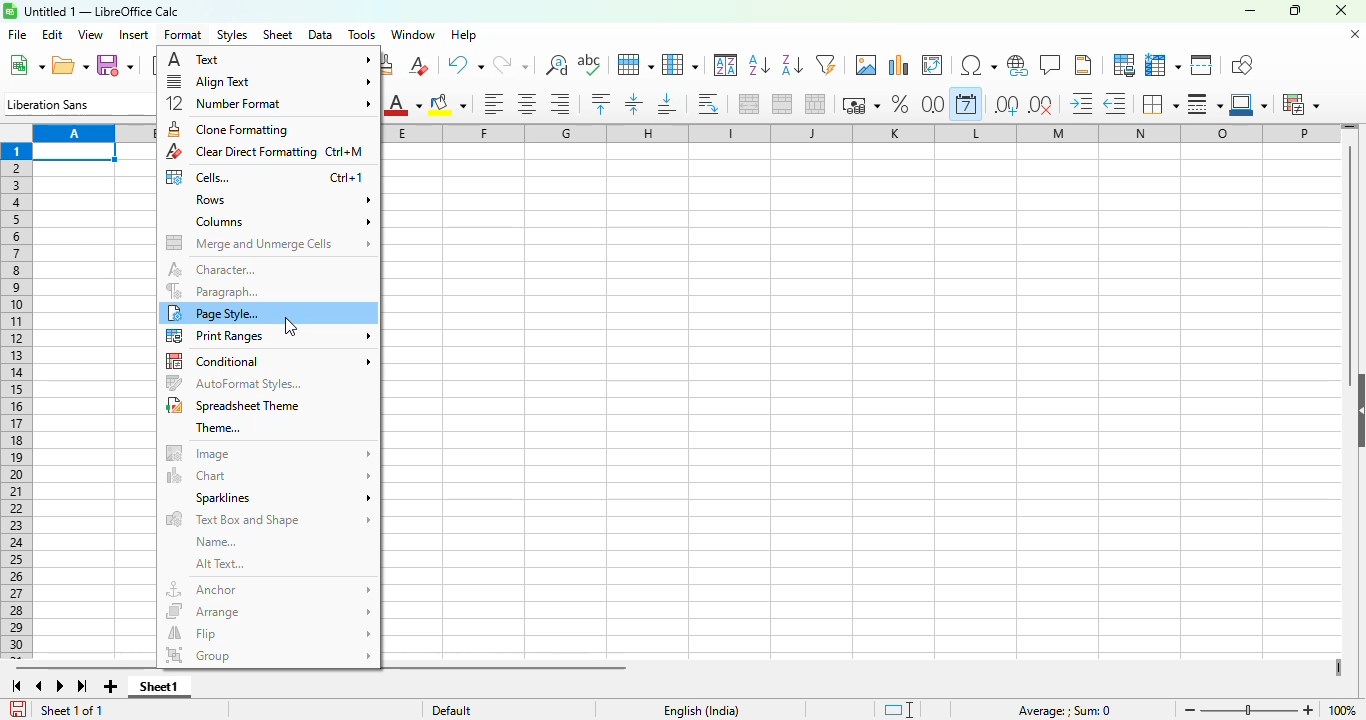  Describe the element at coordinates (264, 152) in the screenshot. I see `clear direct formatting` at that location.